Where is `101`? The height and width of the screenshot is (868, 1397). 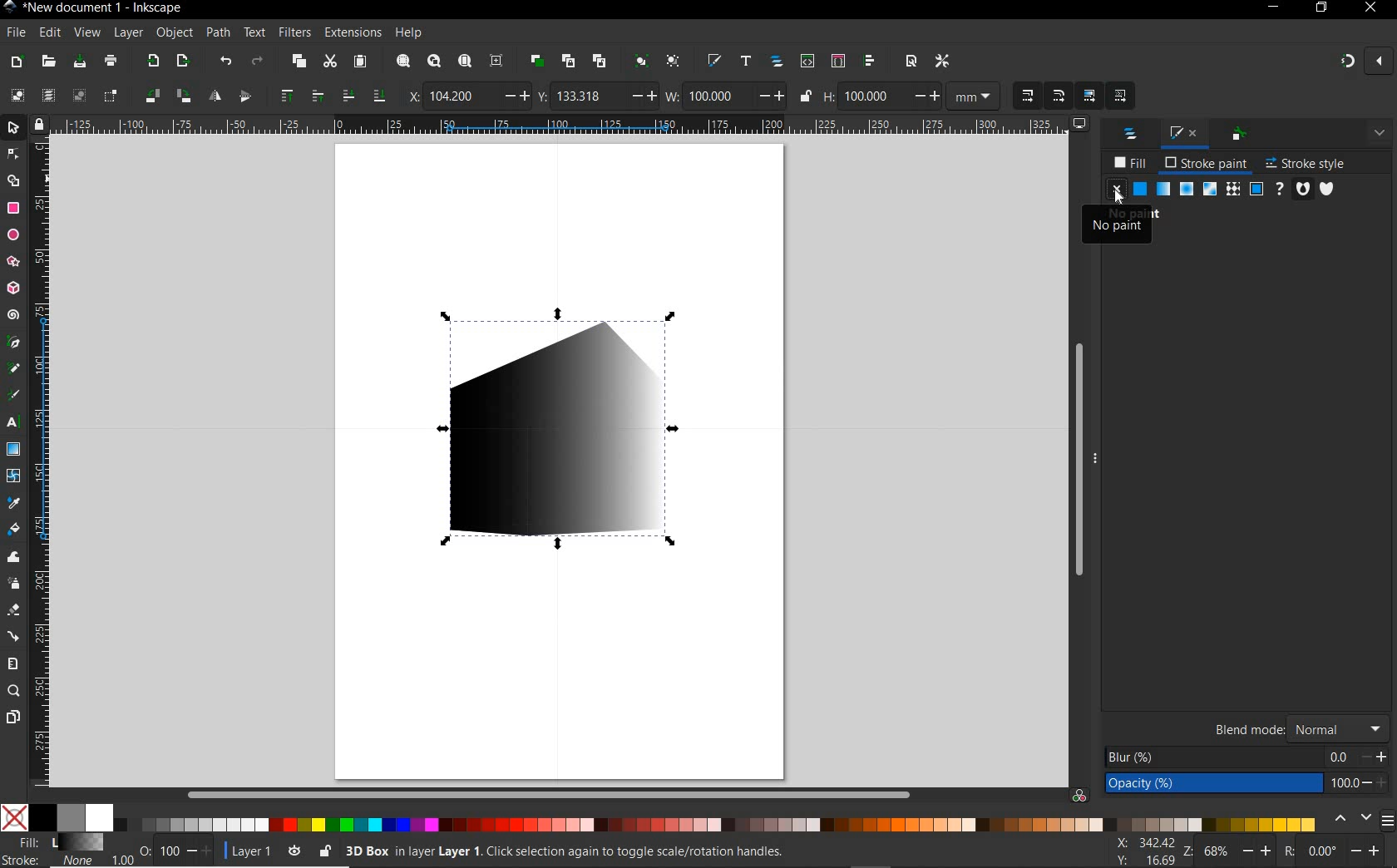 101 is located at coordinates (872, 97).